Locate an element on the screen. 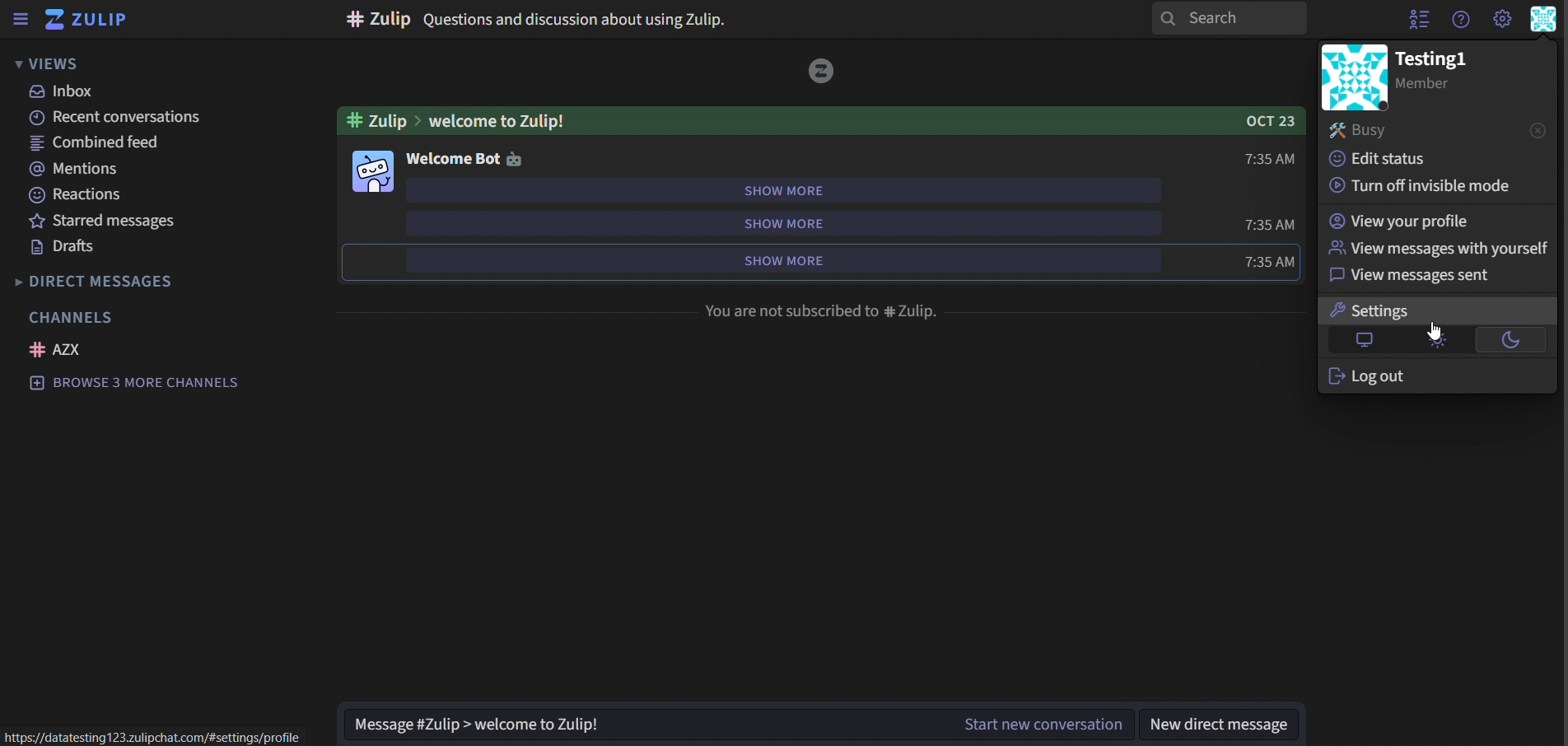 This screenshot has width=1568, height=746. Oct23 is located at coordinates (1258, 122).